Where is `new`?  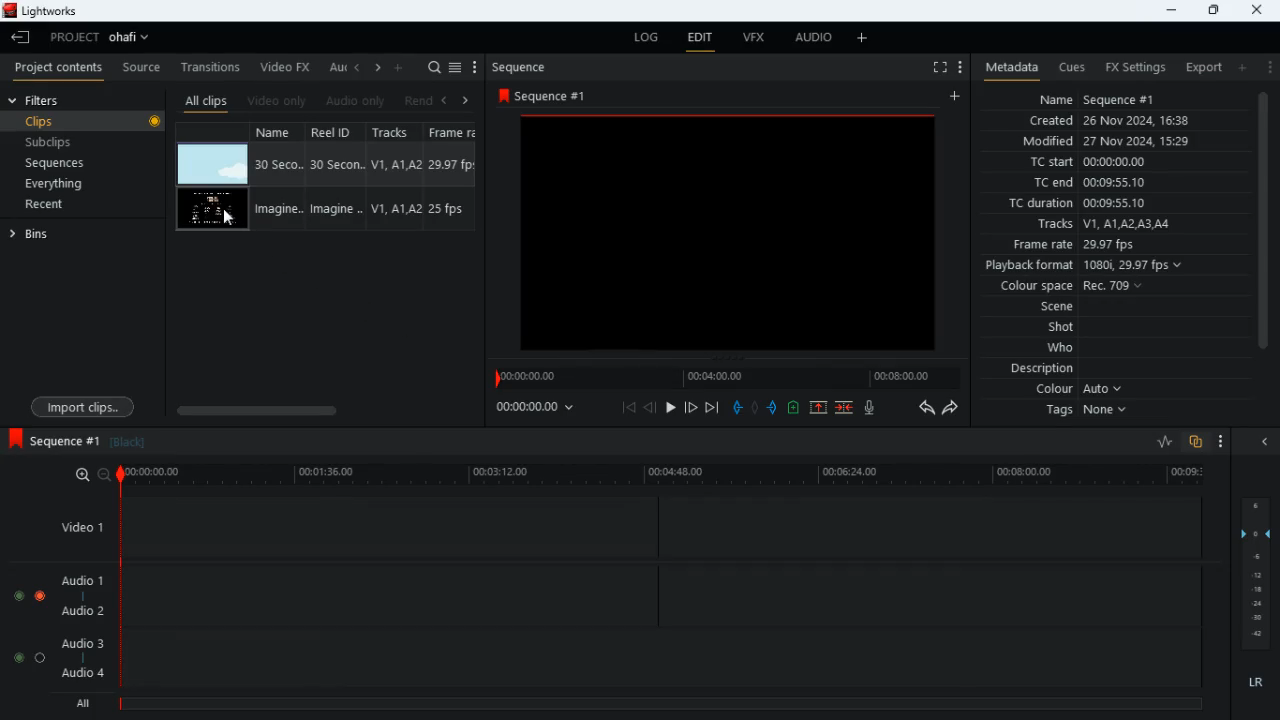 new is located at coordinates (796, 410).